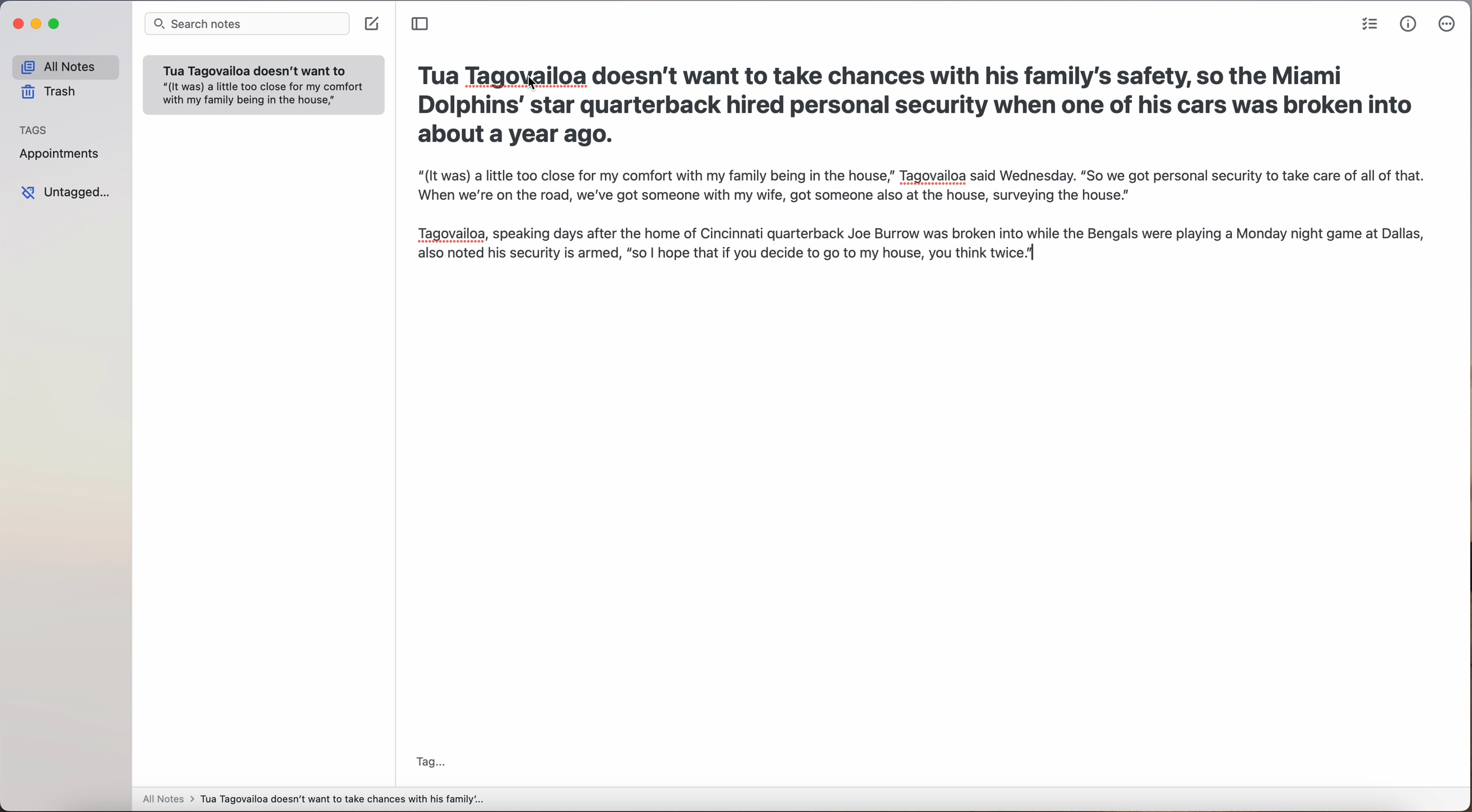 The width and height of the screenshot is (1472, 812). I want to click on more options, so click(1447, 24).